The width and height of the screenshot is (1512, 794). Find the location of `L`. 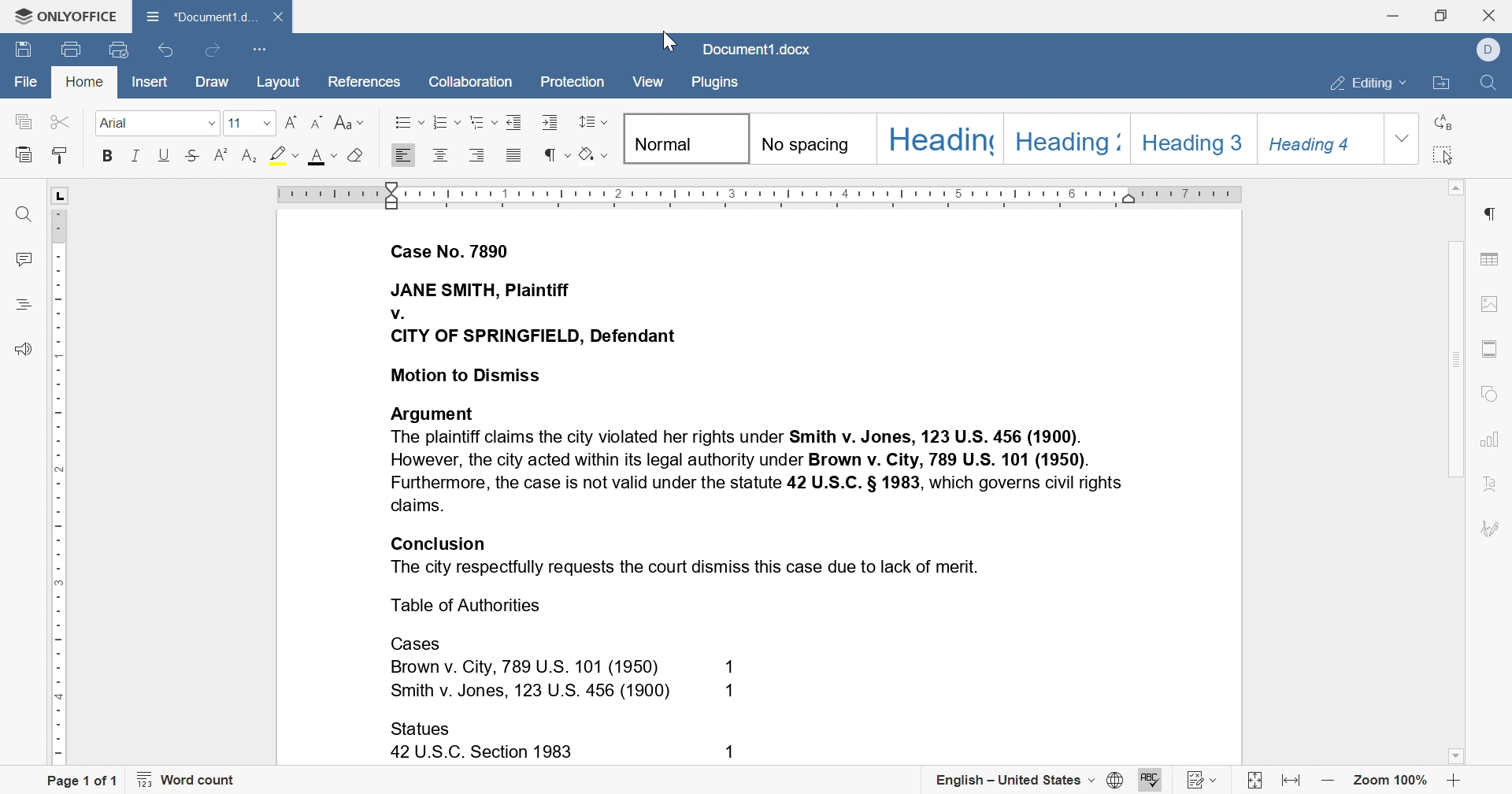

L is located at coordinates (61, 195).